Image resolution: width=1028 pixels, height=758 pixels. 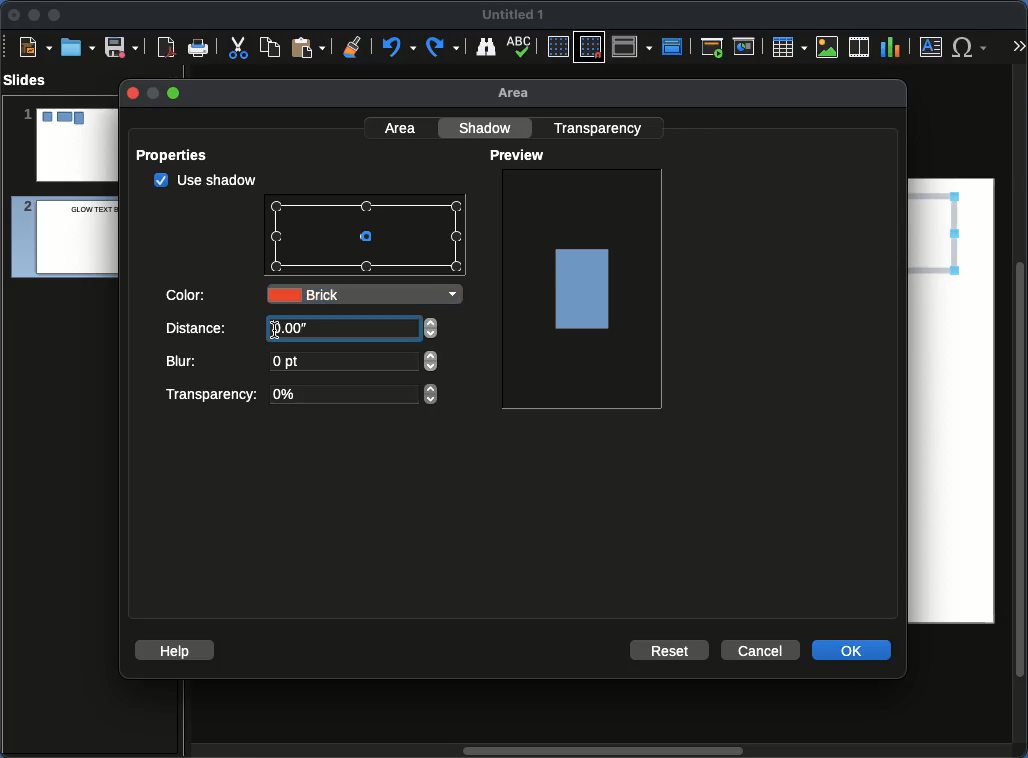 What do you see at coordinates (601, 127) in the screenshot?
I see `Transparency` at bounding box center [601, 127].